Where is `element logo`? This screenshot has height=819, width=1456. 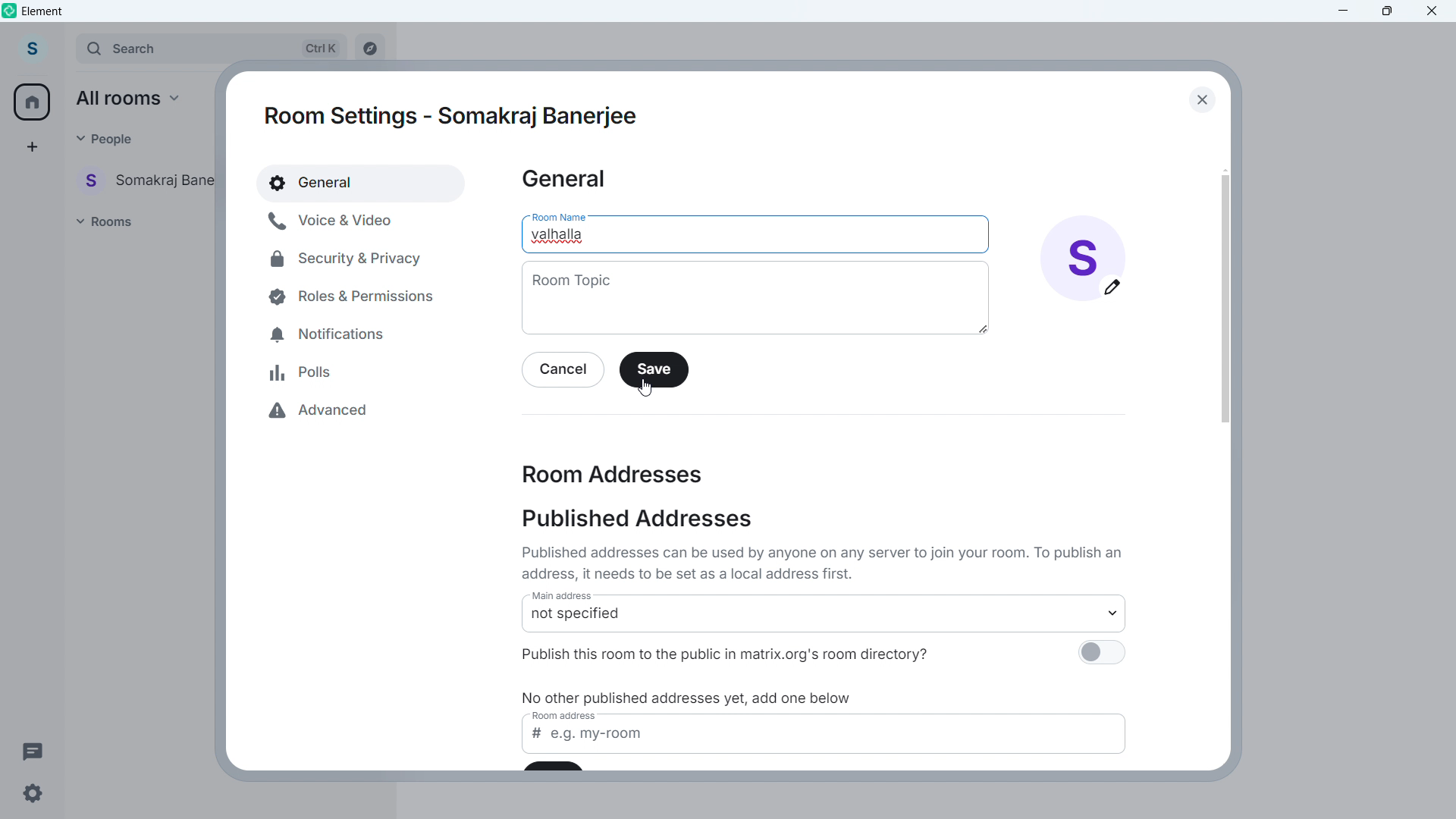 element logo is located at coordinates (10, 10).